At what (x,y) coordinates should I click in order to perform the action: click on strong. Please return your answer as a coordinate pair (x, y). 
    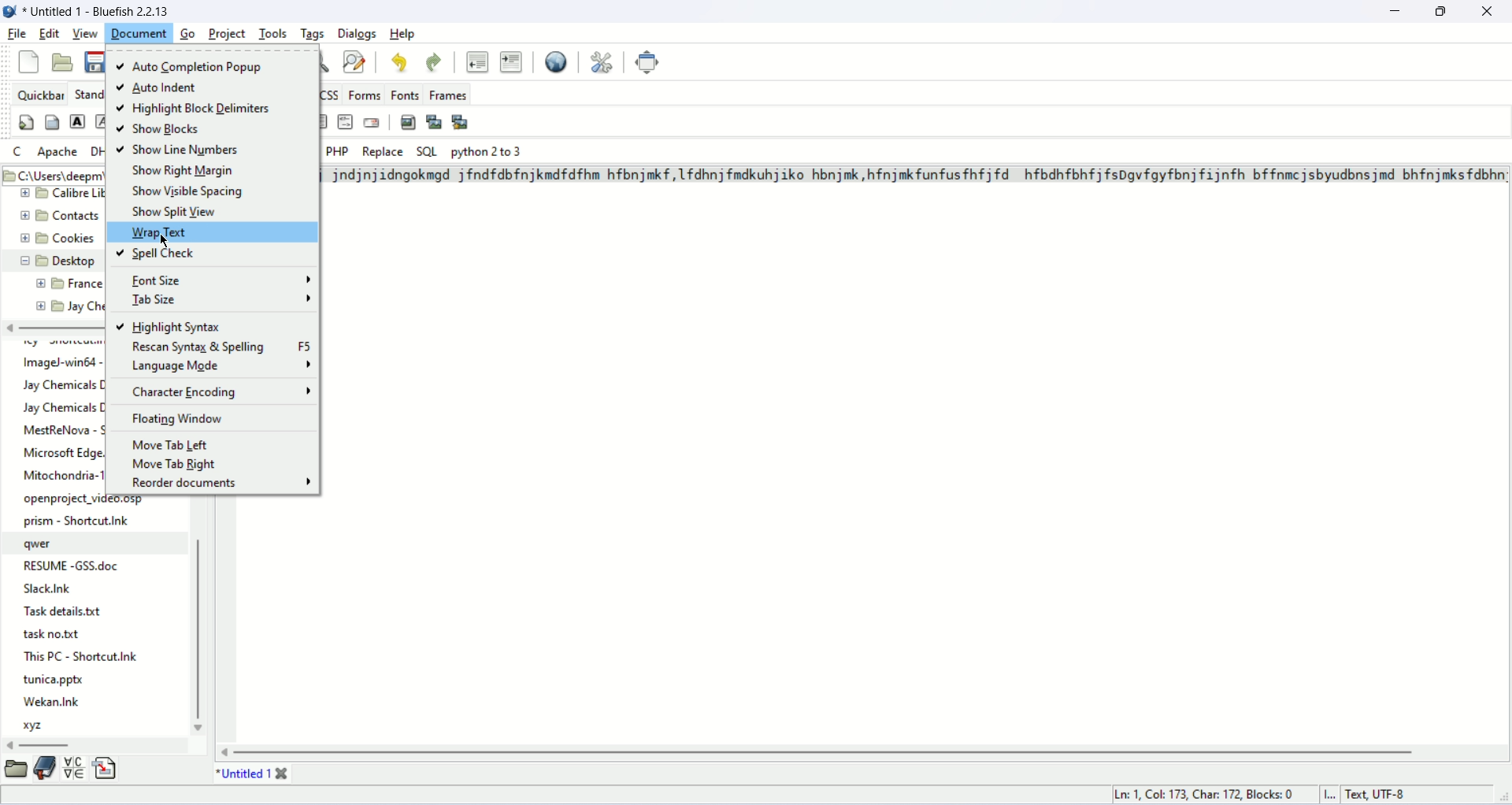
    Looking at the image, I should click on (77, 121).